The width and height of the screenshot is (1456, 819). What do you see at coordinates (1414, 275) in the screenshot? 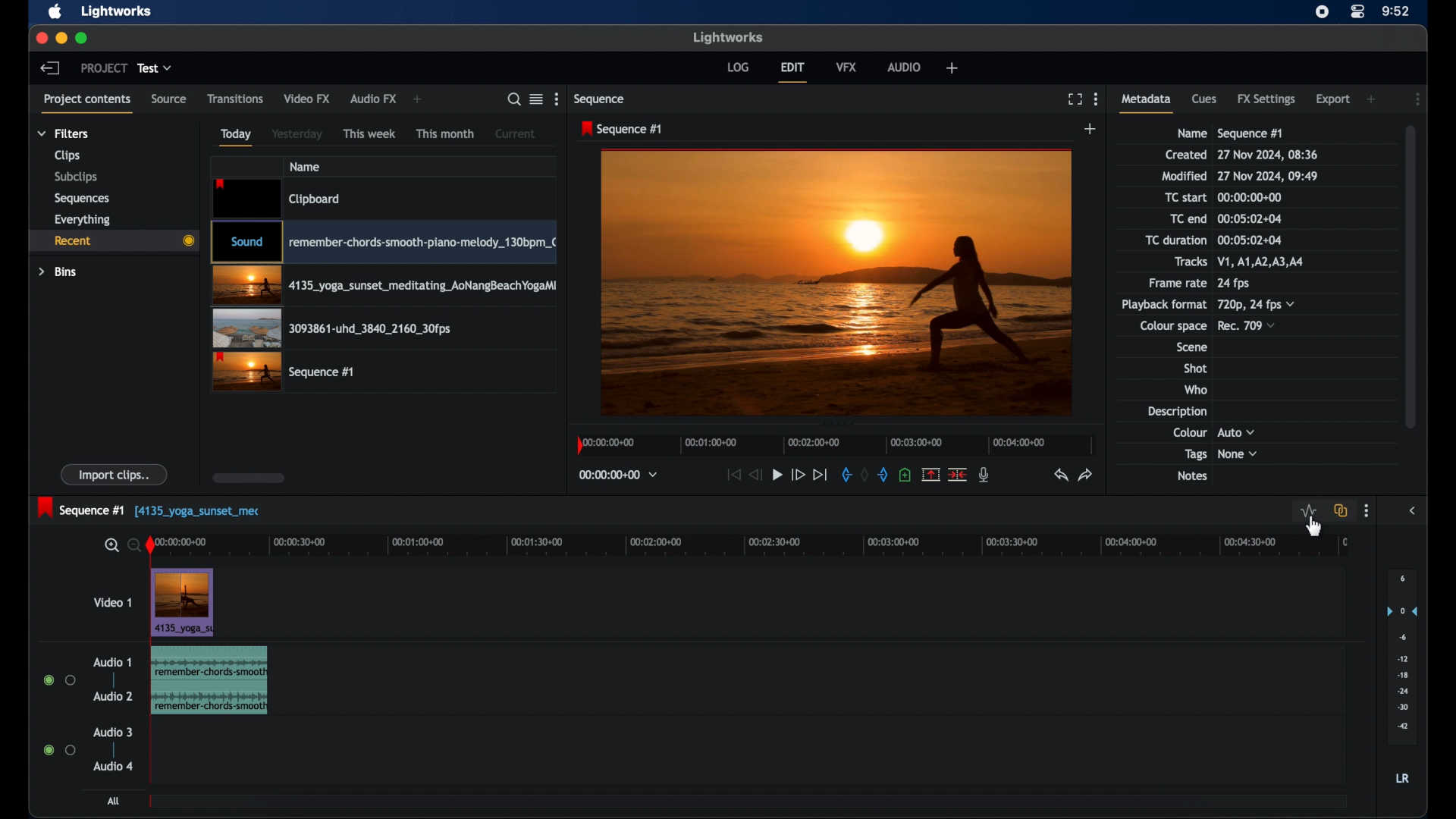
I see `scroll box` at bounding box center [1414, 275].